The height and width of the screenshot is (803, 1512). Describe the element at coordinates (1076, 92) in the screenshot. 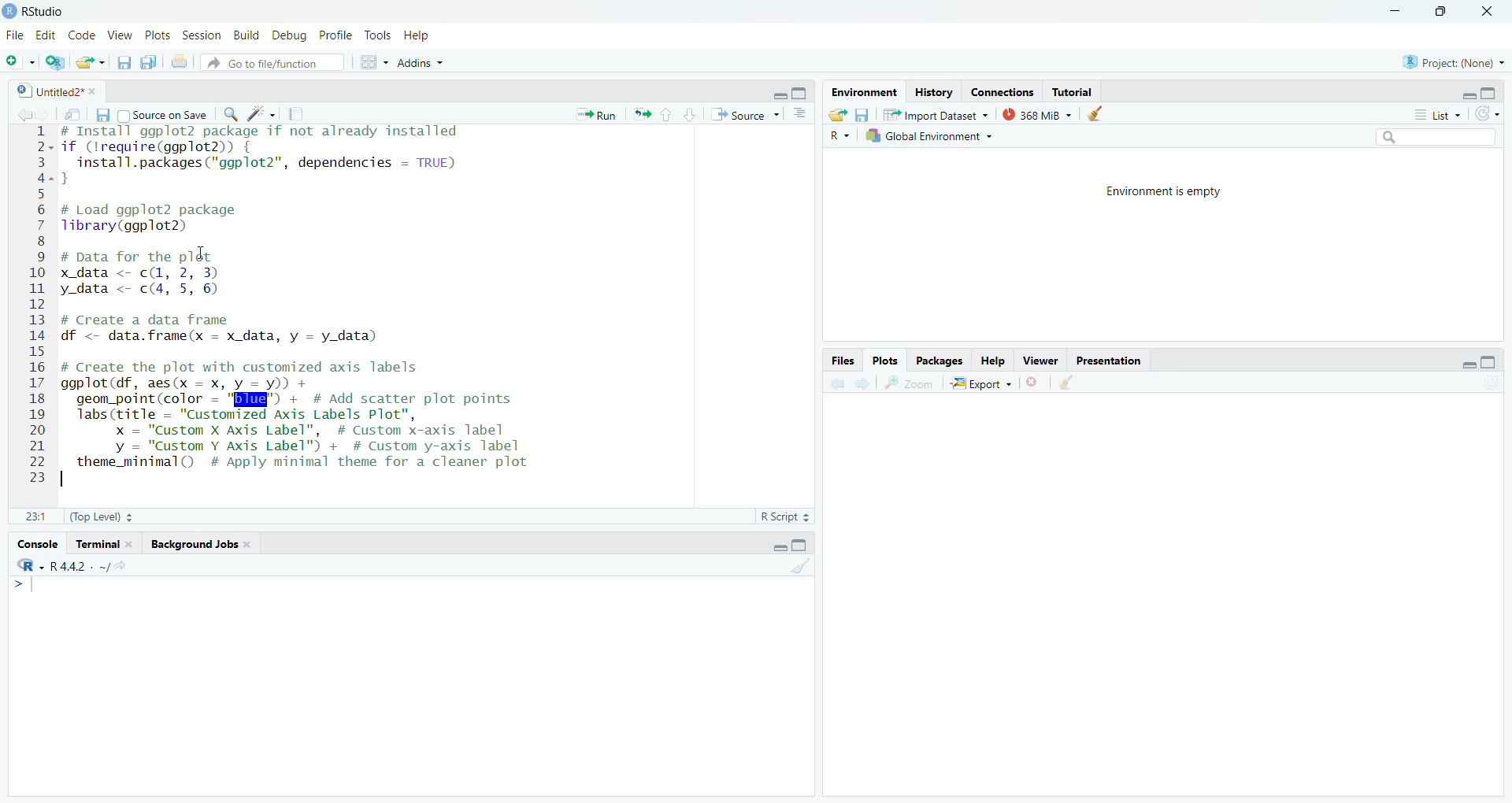

I see `Tutorial` at that location.